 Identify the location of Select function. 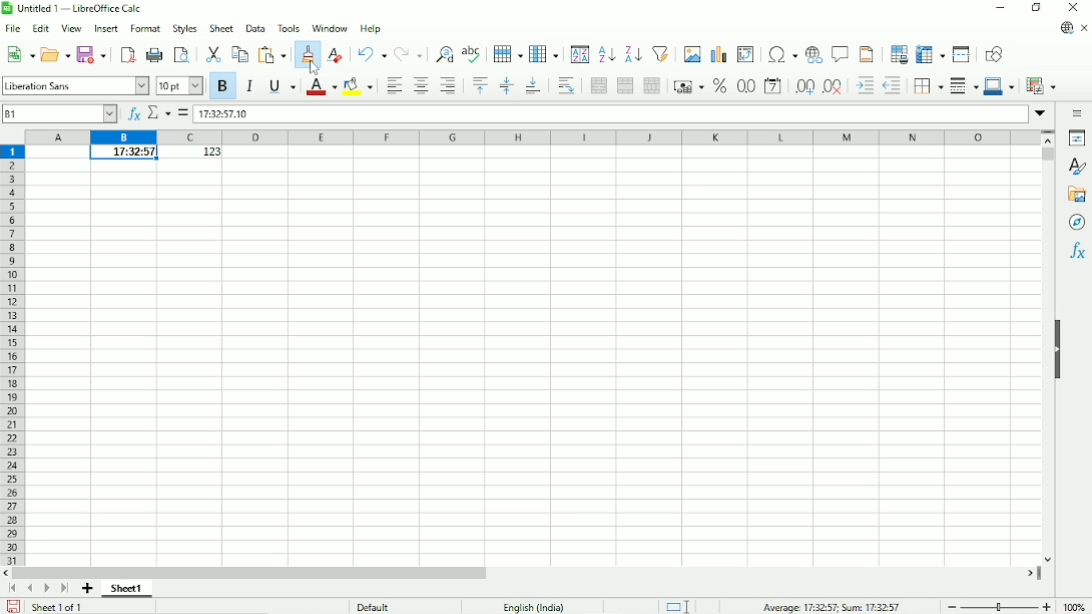
(158, 113).